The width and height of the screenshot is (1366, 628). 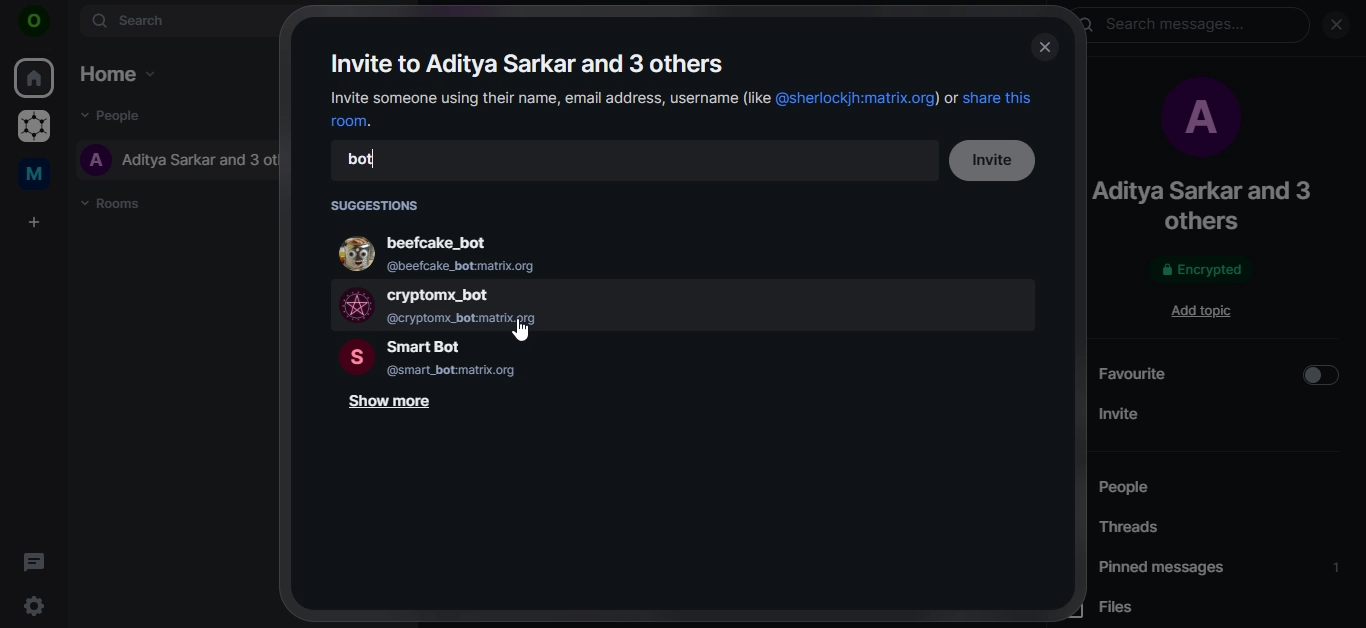 I want to click on smart bot, so click(x=476, y=358).